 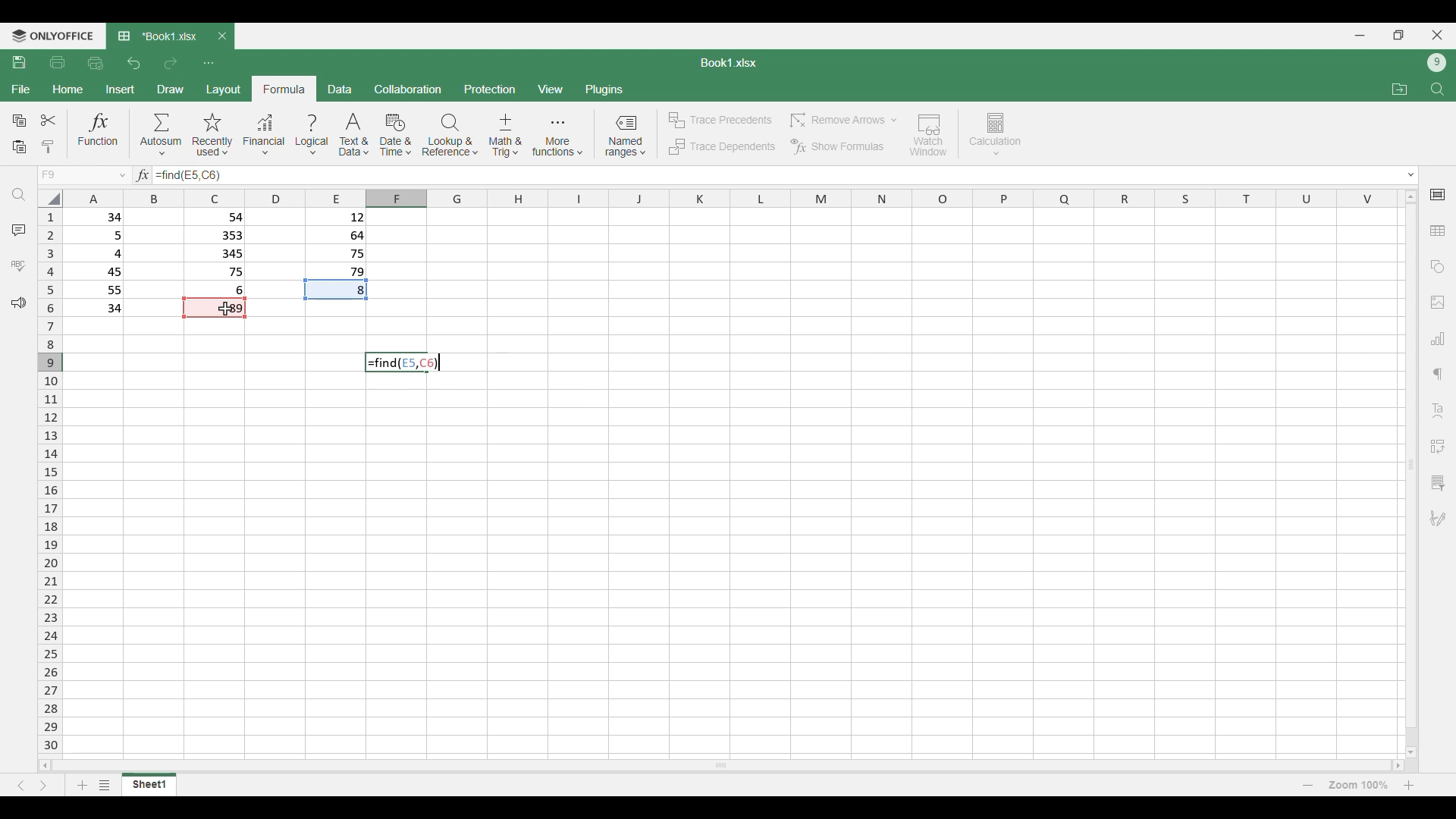 I want to click on Insert chart, so click(x=1438, y=338).